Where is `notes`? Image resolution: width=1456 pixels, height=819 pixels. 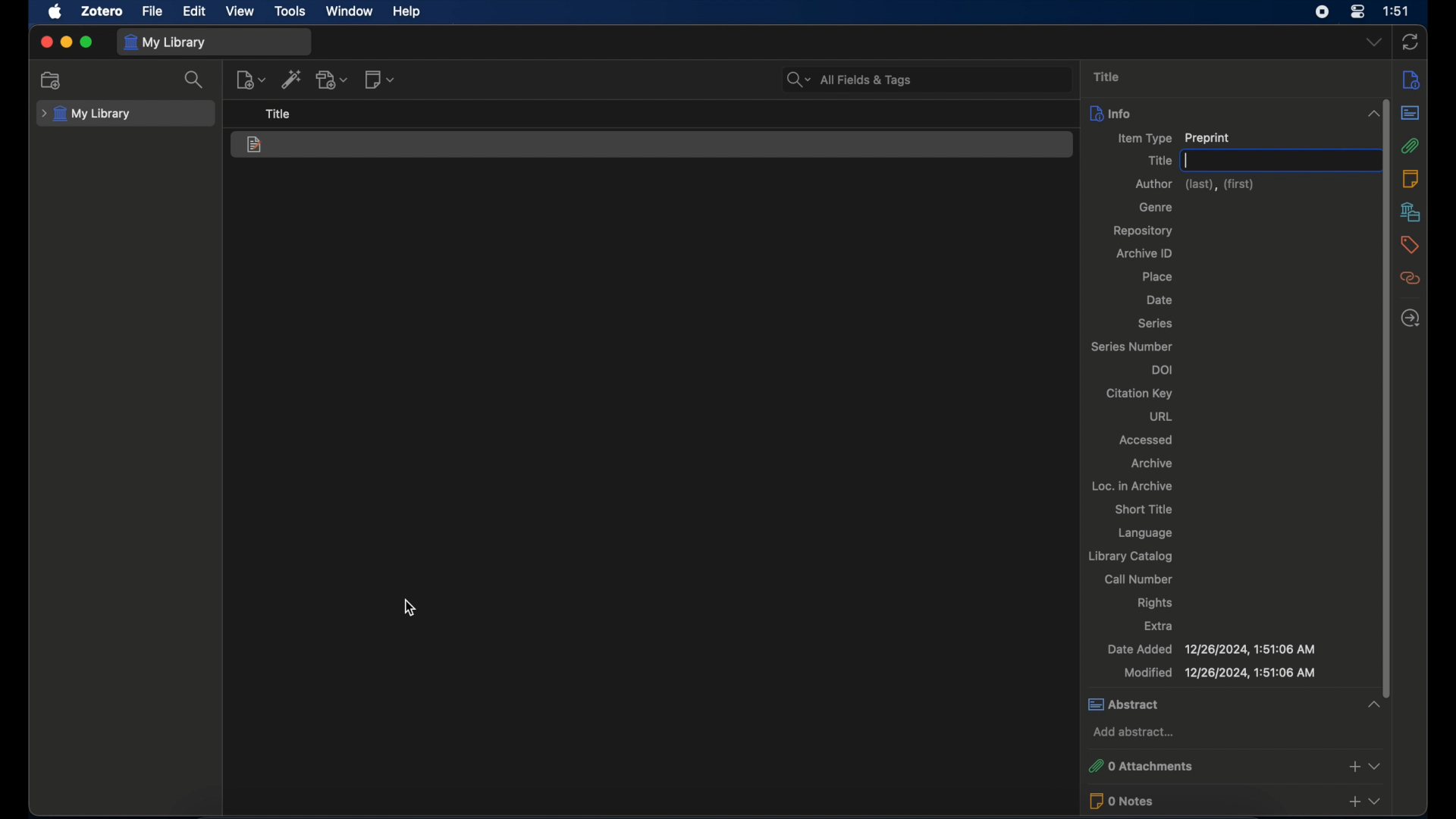
notes is located at coordinates (1411, 178).